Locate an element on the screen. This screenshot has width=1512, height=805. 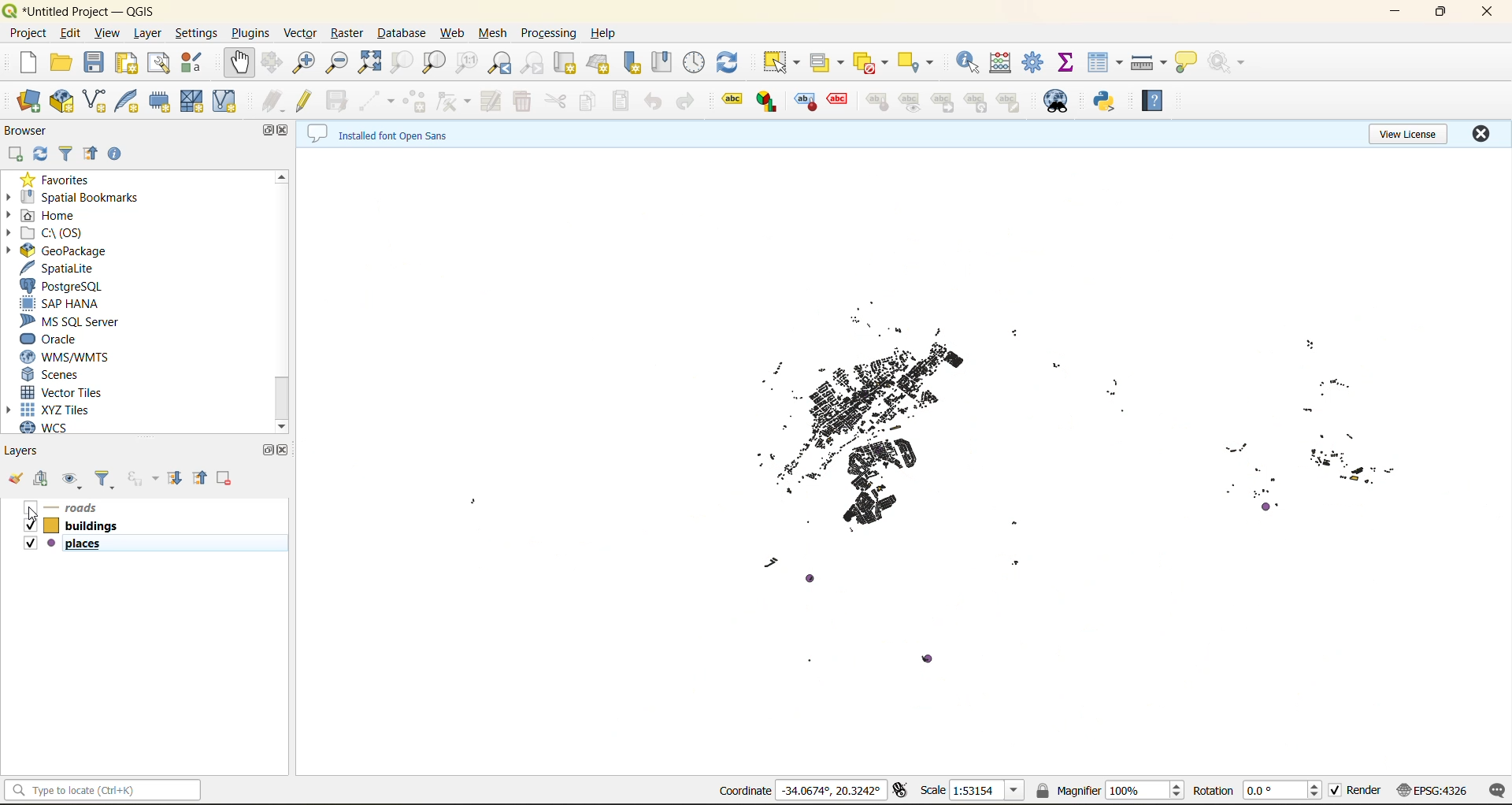
layer disabled from vector is located at coordinates (929, 462).